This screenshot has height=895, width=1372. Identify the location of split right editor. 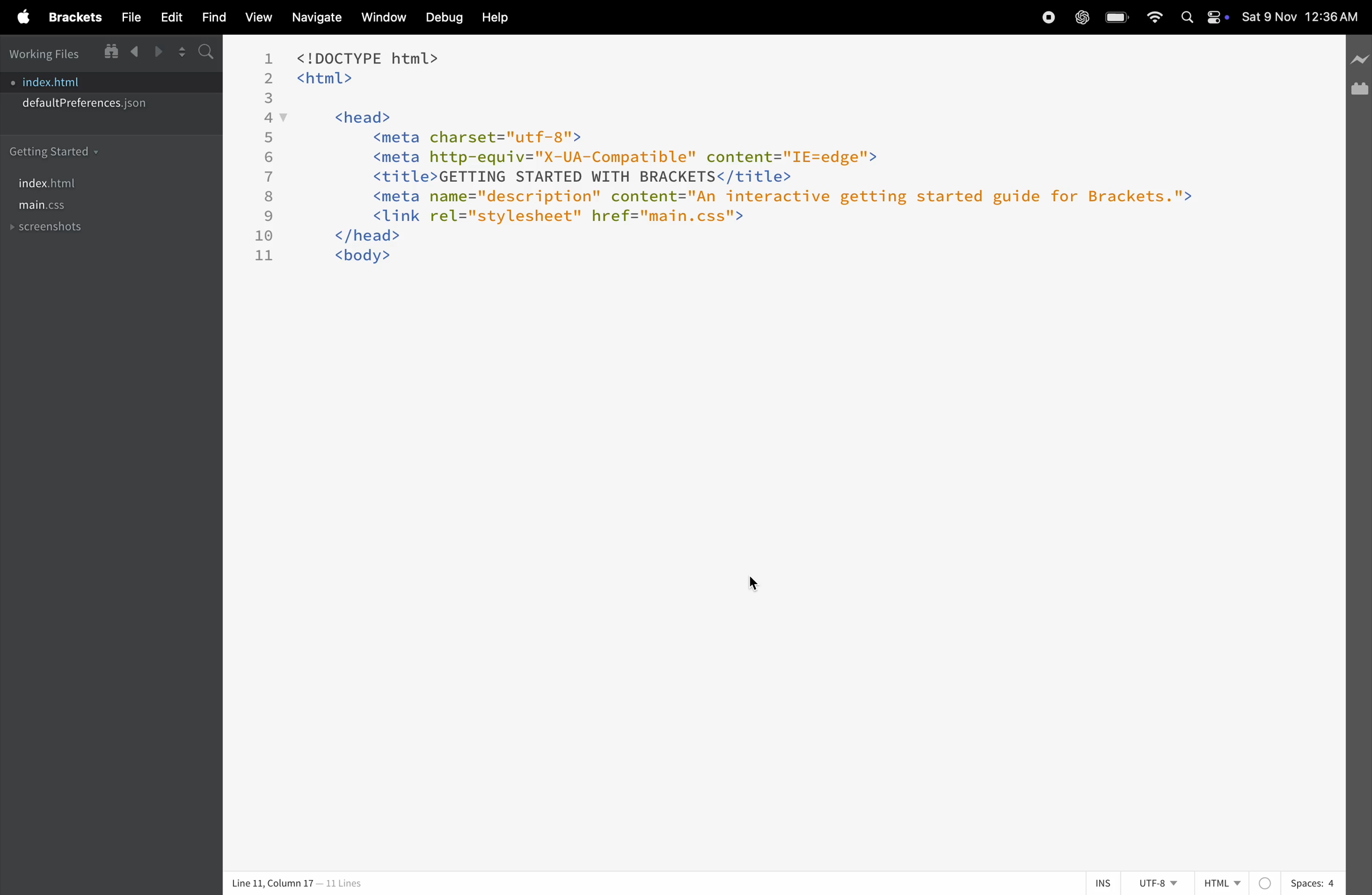
(184, 51).